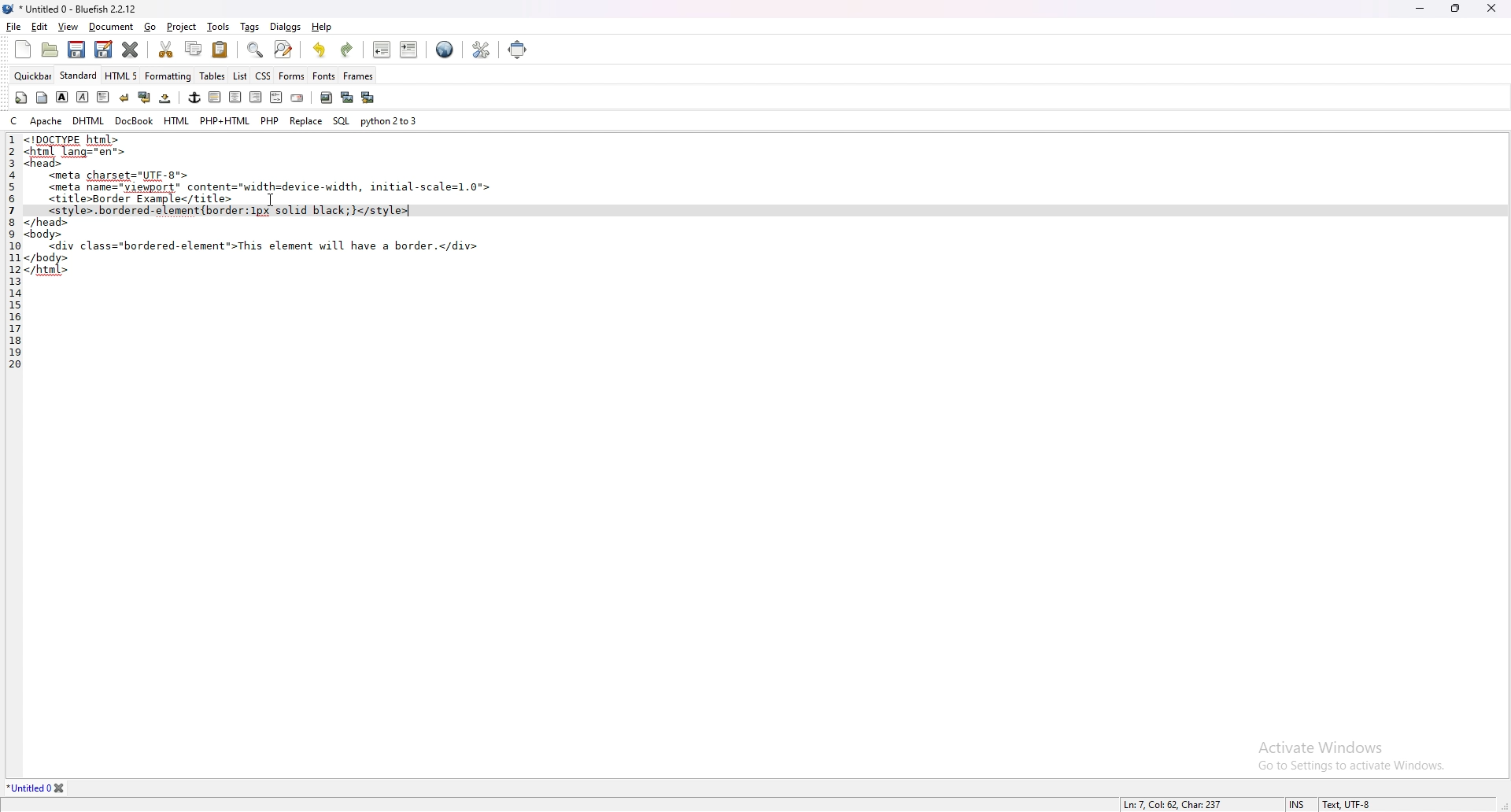 The image size is (1511, 812). Describe the element at coordinates (104, 97) in the screenshot. I see `paragraph` at that location.